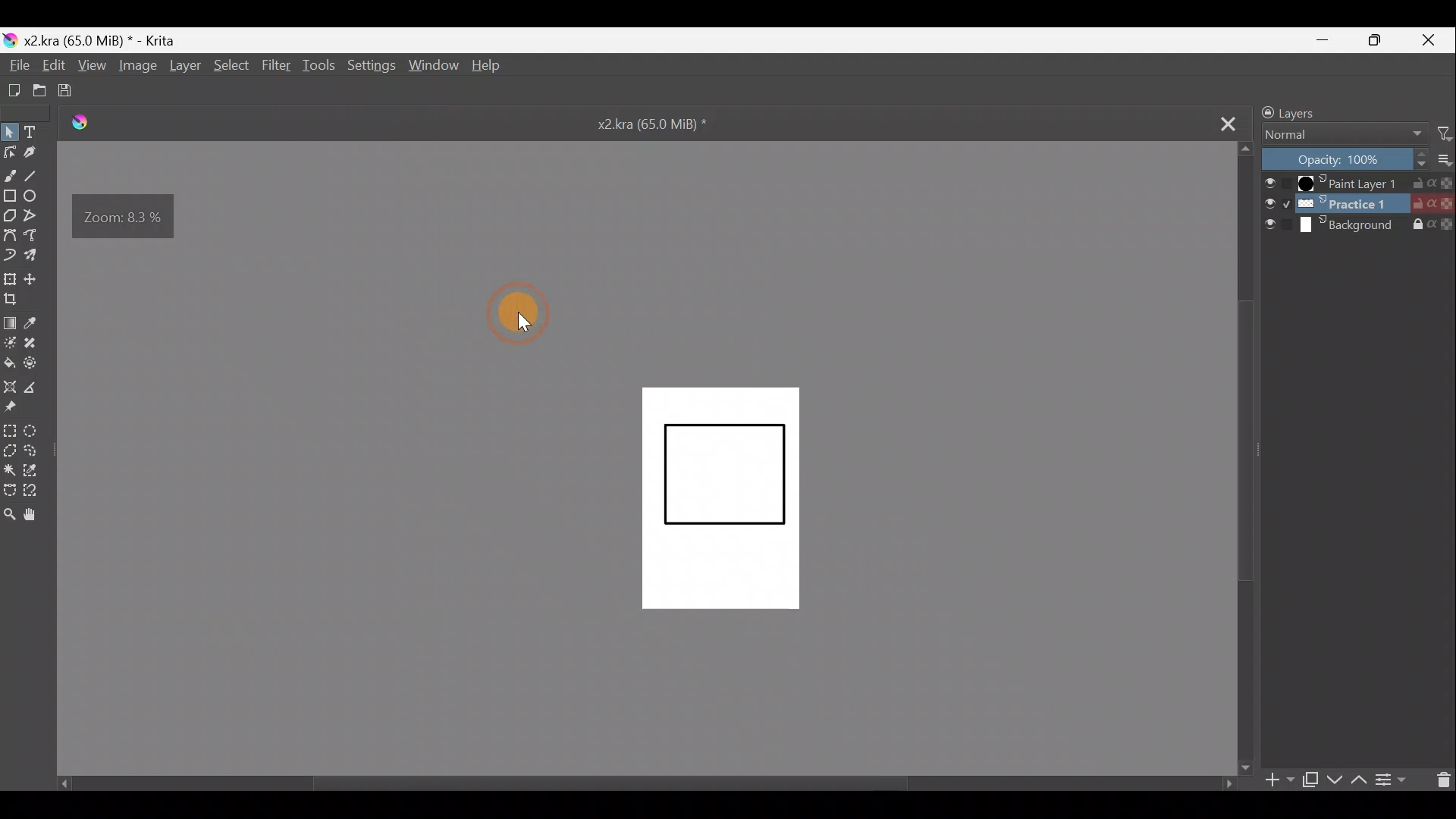  I want to click on Layer 2, so click(1357, 203).